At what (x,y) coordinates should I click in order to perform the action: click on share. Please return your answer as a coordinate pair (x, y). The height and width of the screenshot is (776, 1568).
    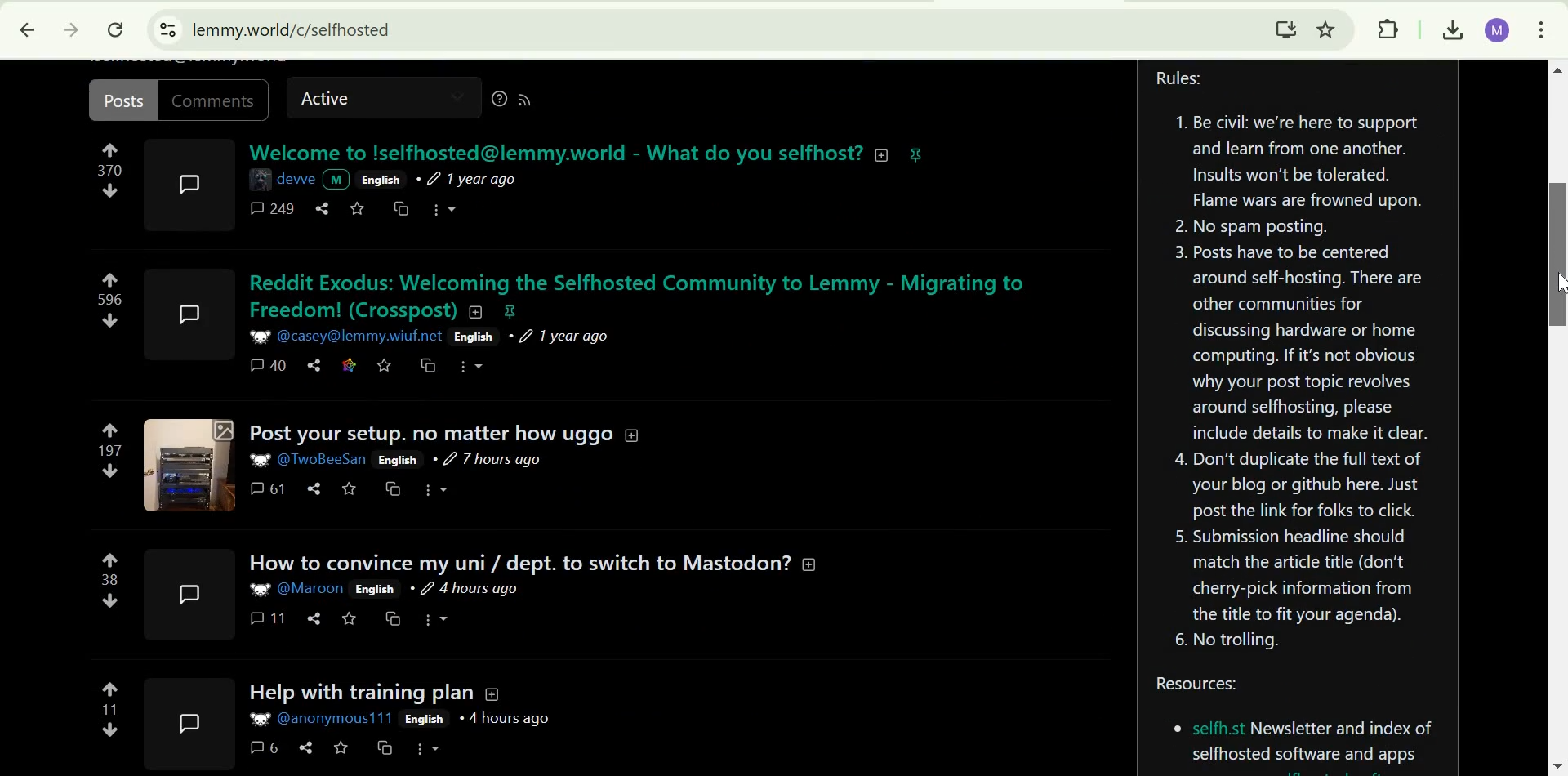
    Looking at the image, I should click on (316, 364).